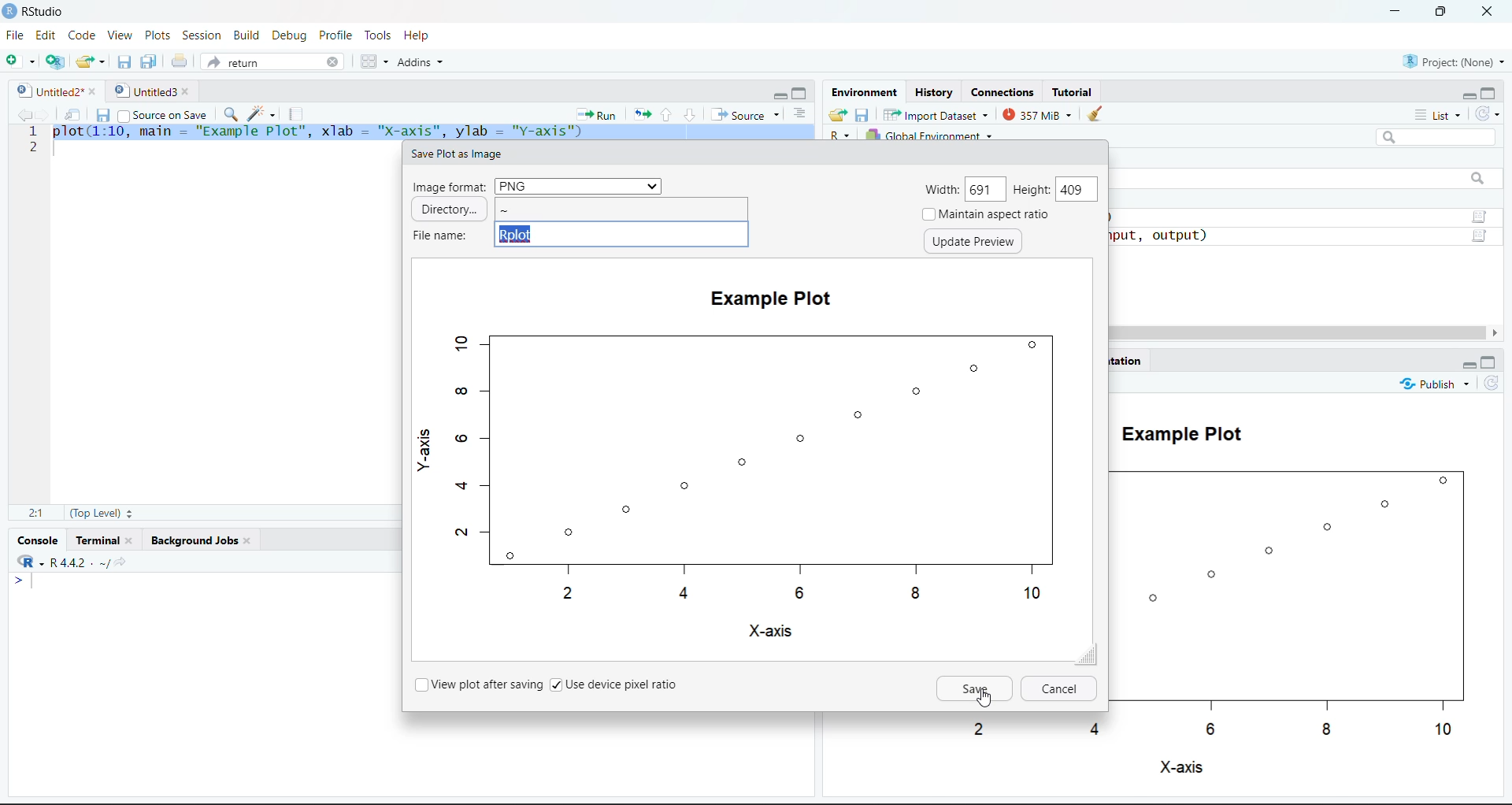 The width and height of the screenshot is (1512, 805). I want to click on Save, so click(976, 688).